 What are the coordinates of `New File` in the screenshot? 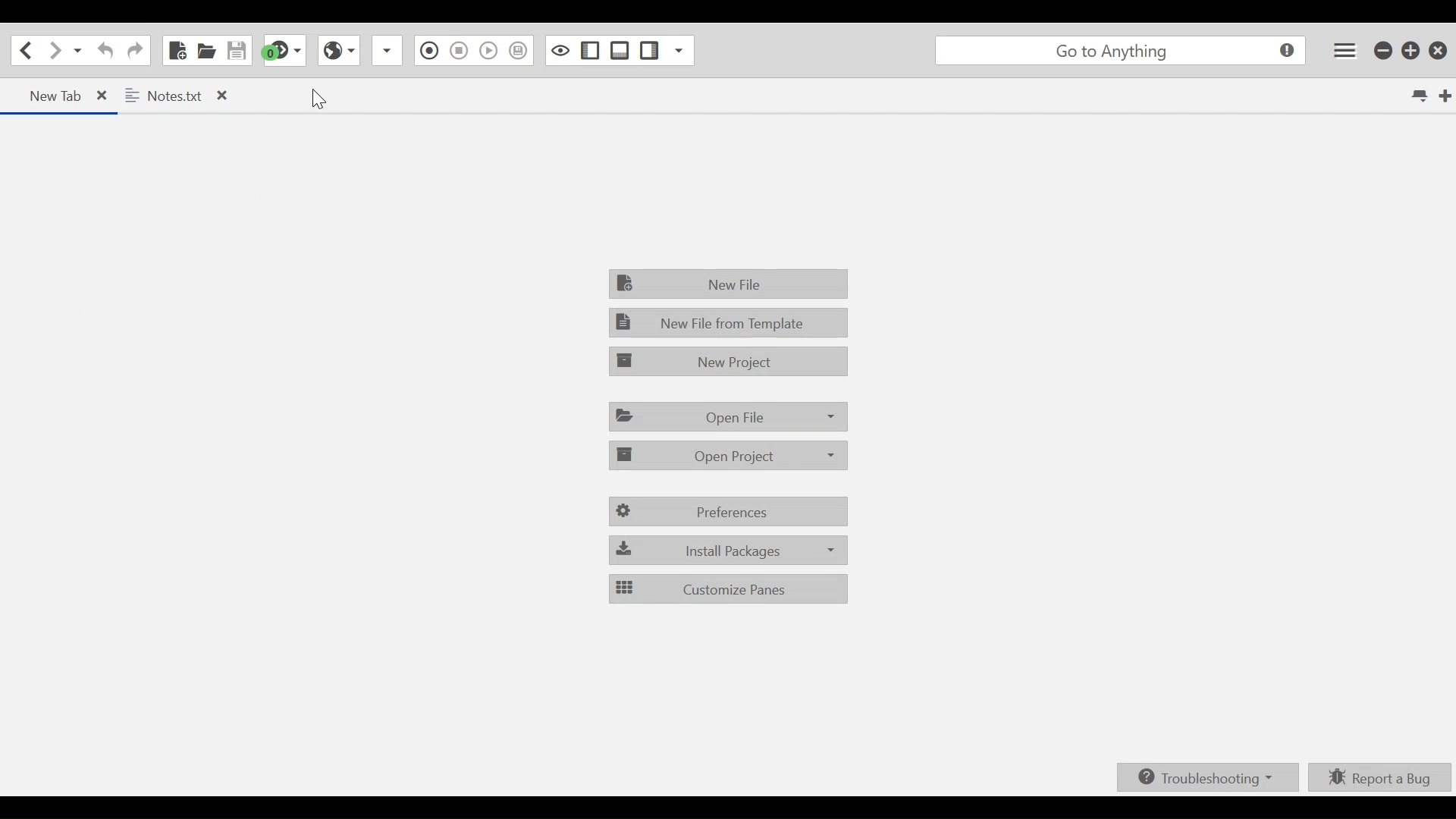 It's located at (178, 50).